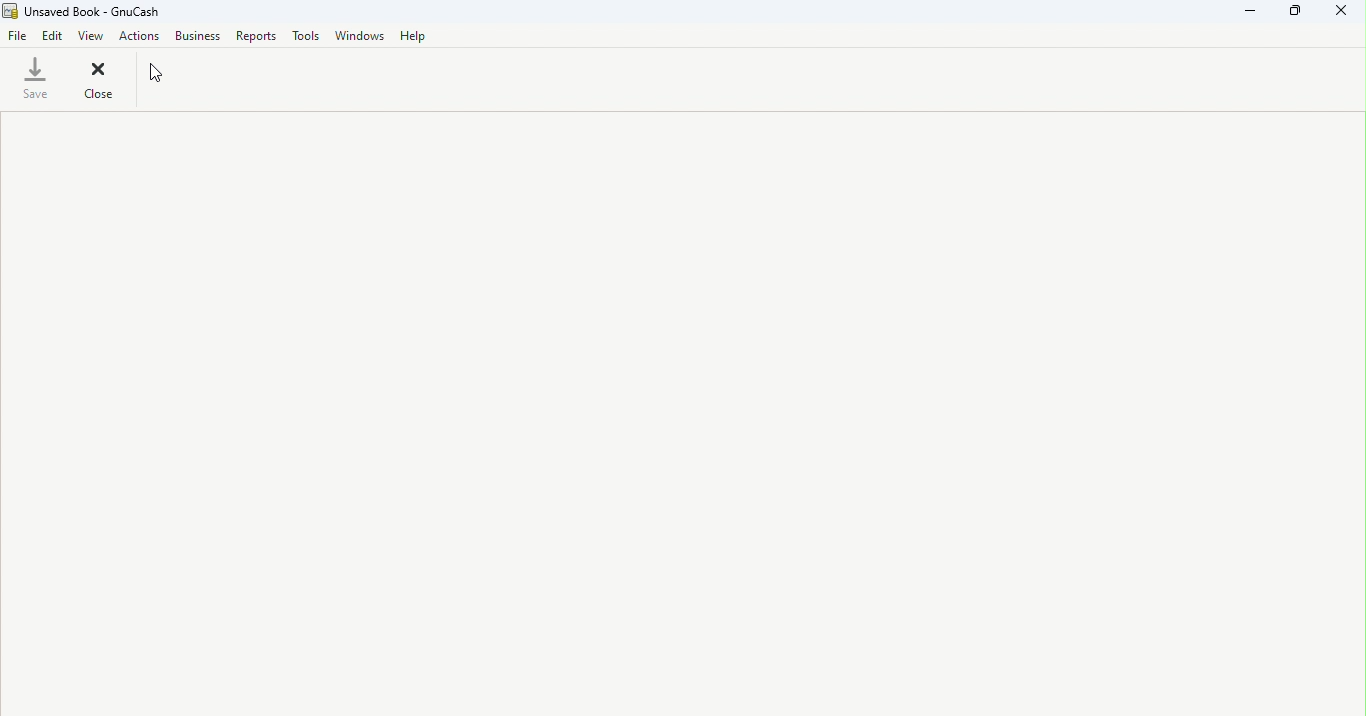 The image size is (1366, 716). I want to click on Save, so click(36, 79).